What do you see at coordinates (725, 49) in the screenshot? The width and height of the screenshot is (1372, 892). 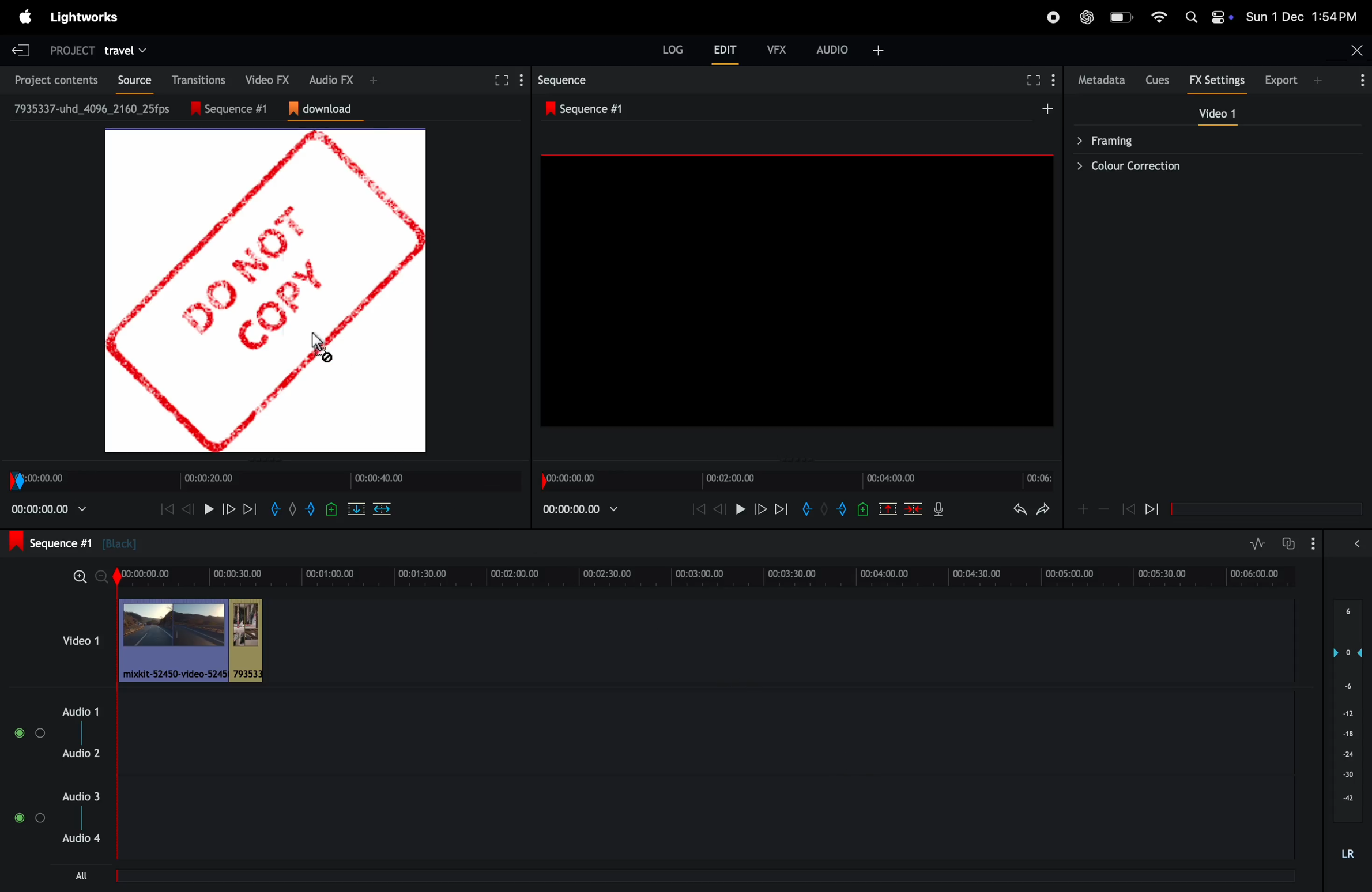 I see `edit` at bounding box center [725, 49].